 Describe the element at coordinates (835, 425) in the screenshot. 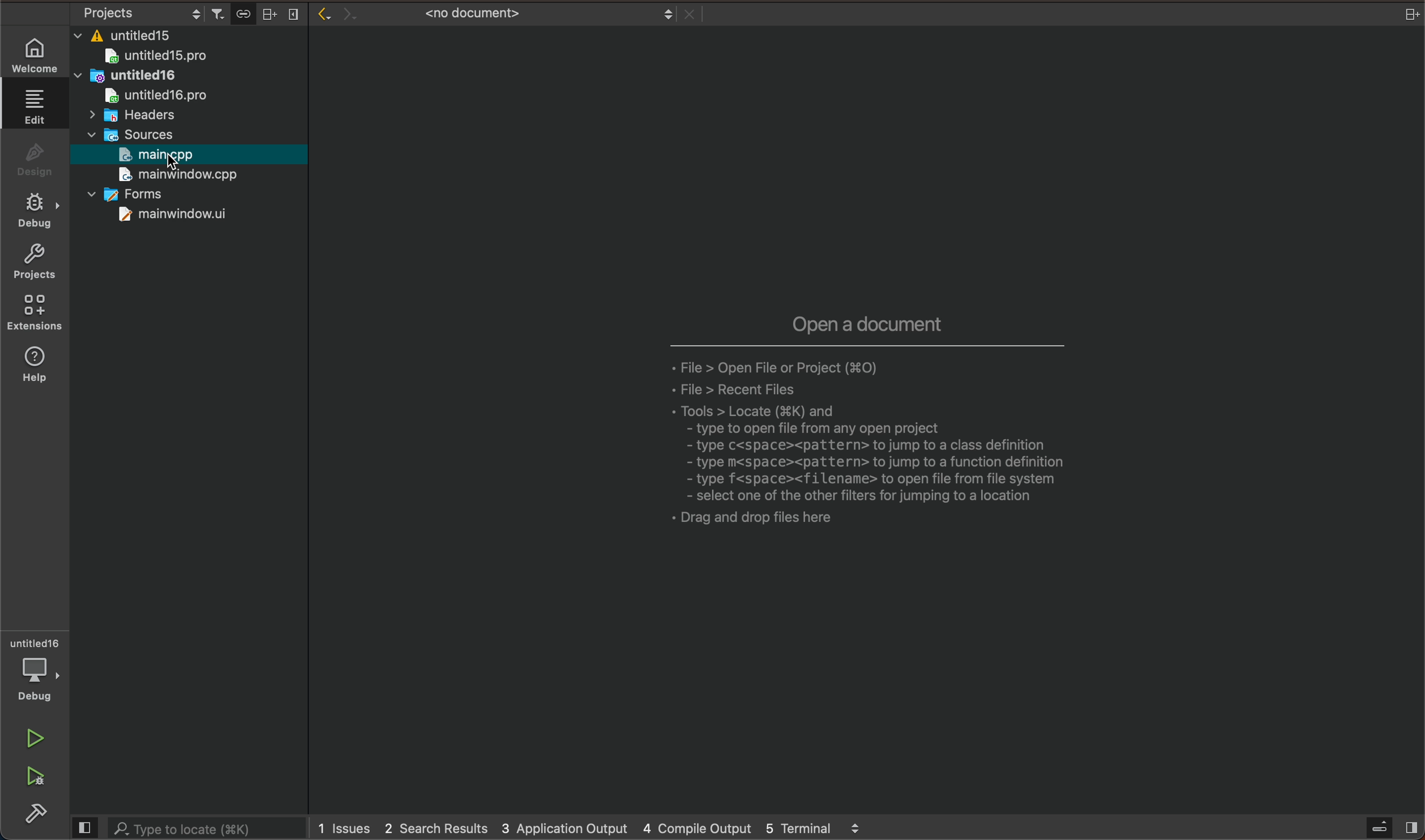

I see `open a document` at that location.